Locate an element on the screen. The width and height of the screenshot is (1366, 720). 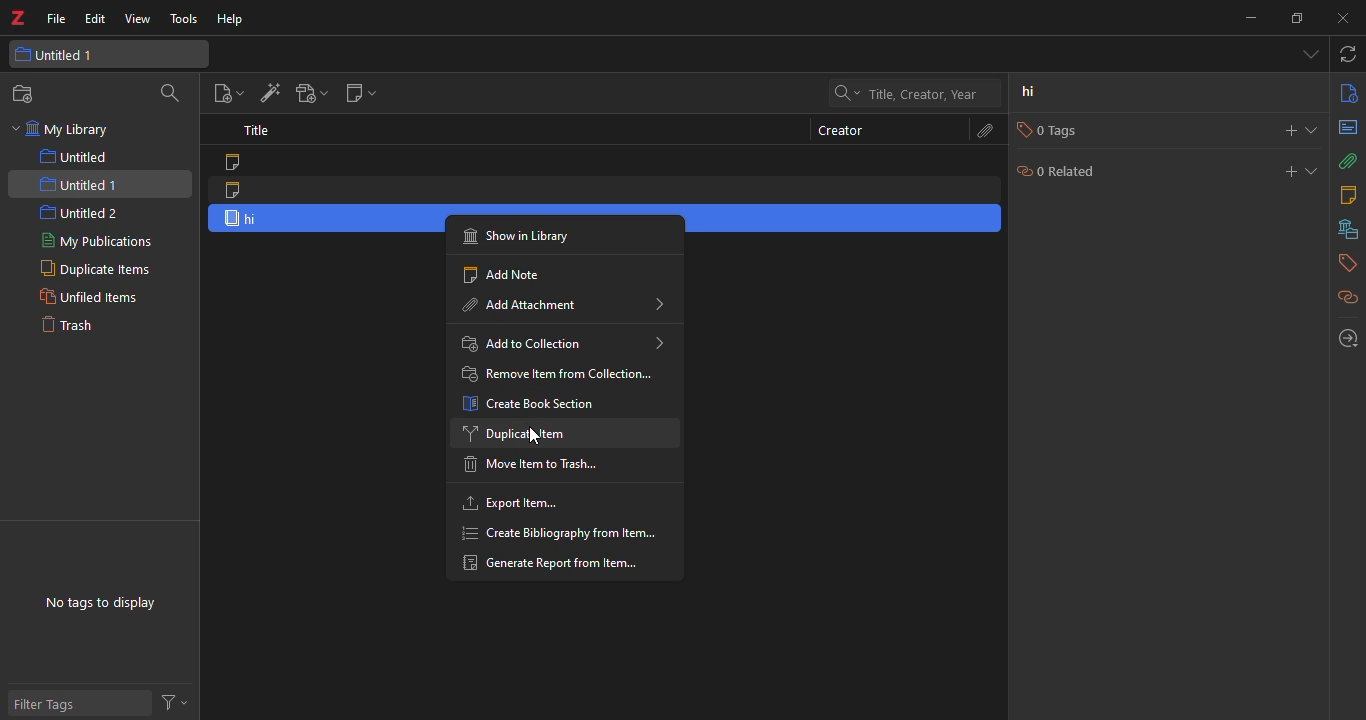
my library is located at coordinates (70, 128).